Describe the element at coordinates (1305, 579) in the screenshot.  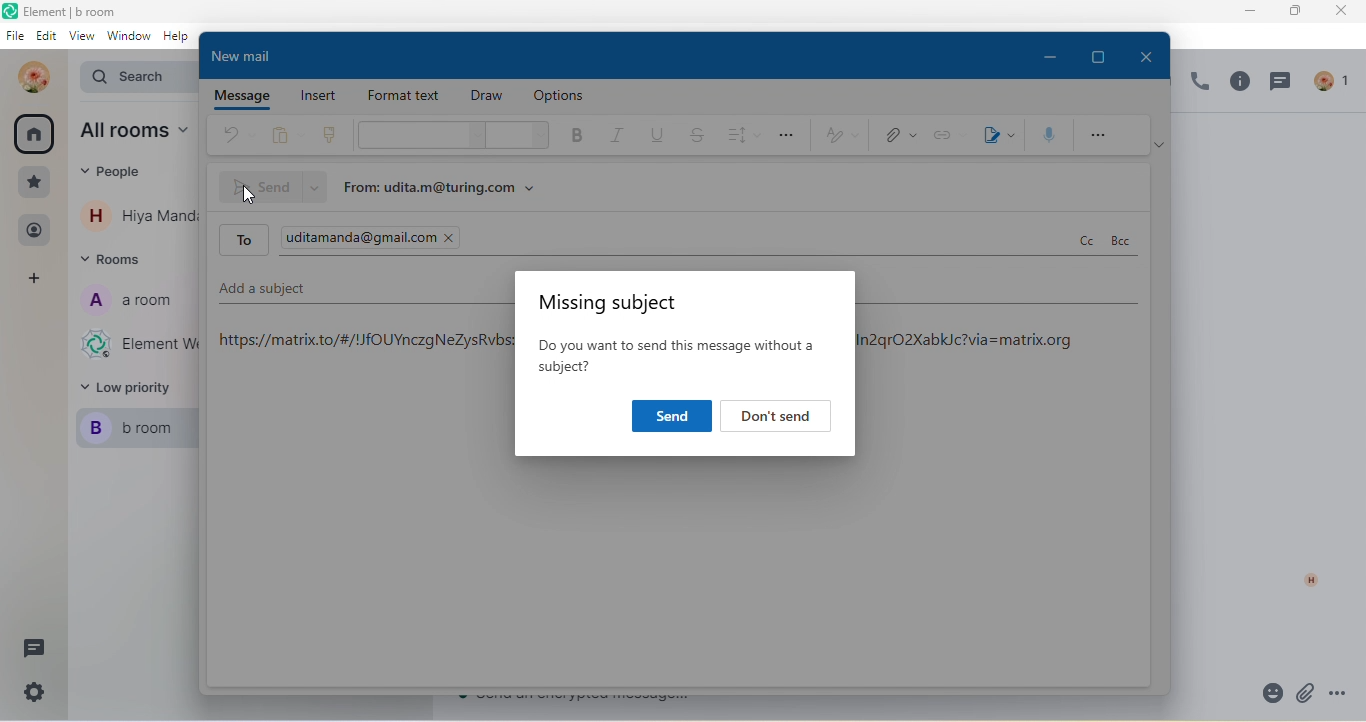
I see `h` at that location.